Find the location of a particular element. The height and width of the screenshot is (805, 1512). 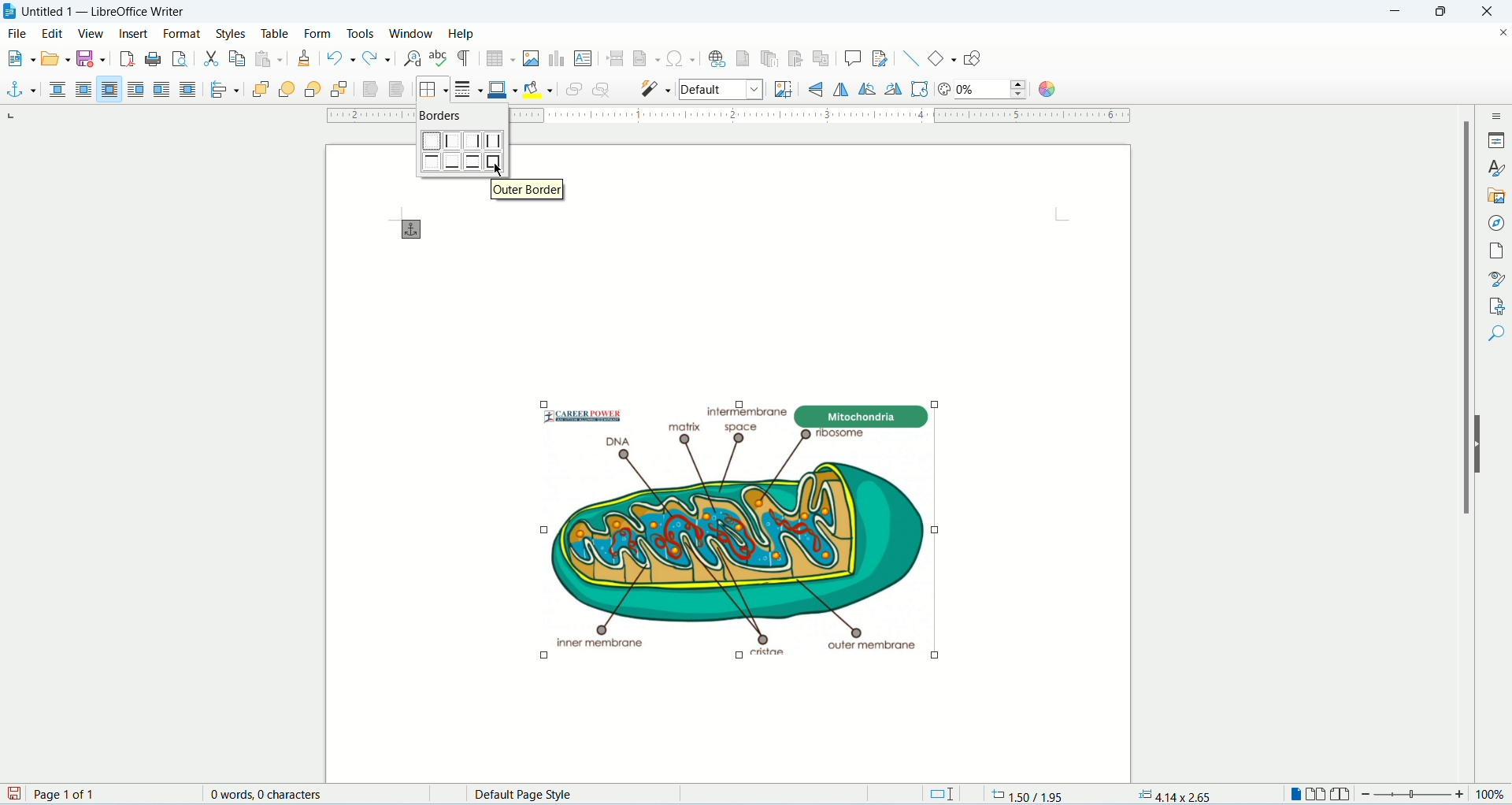

filter is located at coordinates (657, 87).